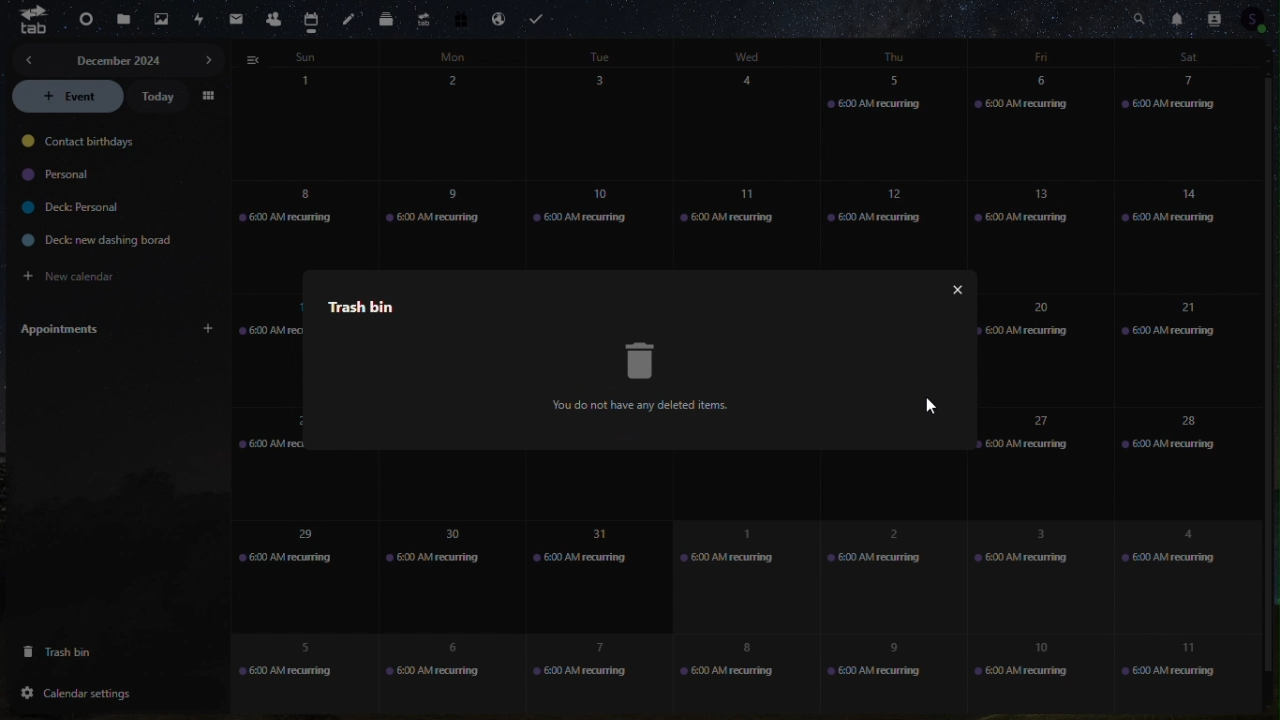 The width and height of the screenshot is (1280, 720). What do you see at coordinates (1256, 21) in the screenshot?
I see `Account icon contacts` at bounding box center [1256, 21].